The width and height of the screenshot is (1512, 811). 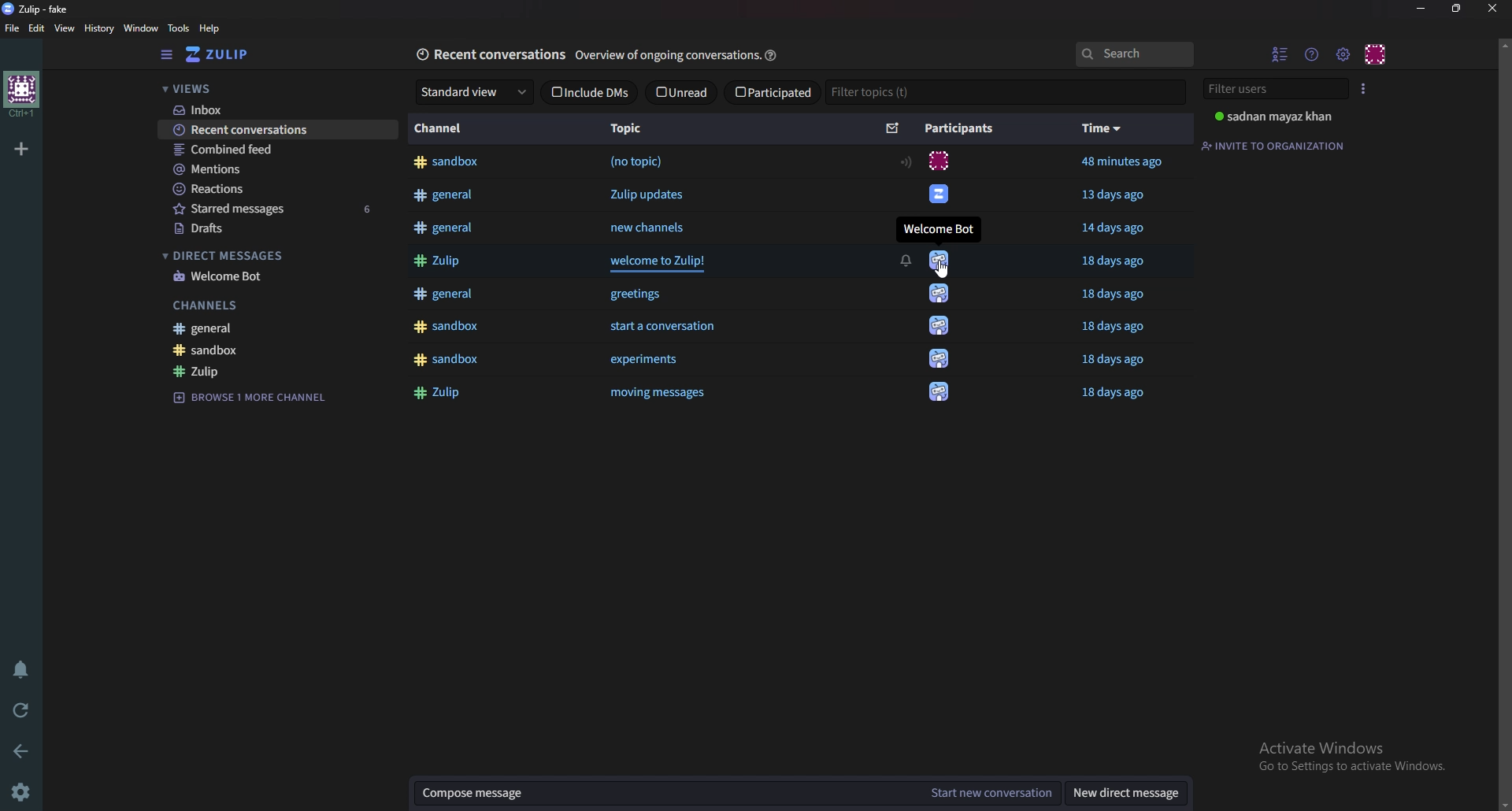 What do you see at coordinates (893, 129) in the screenshot?
I see `Sort by unread message count` at bounding box center [893, 129].